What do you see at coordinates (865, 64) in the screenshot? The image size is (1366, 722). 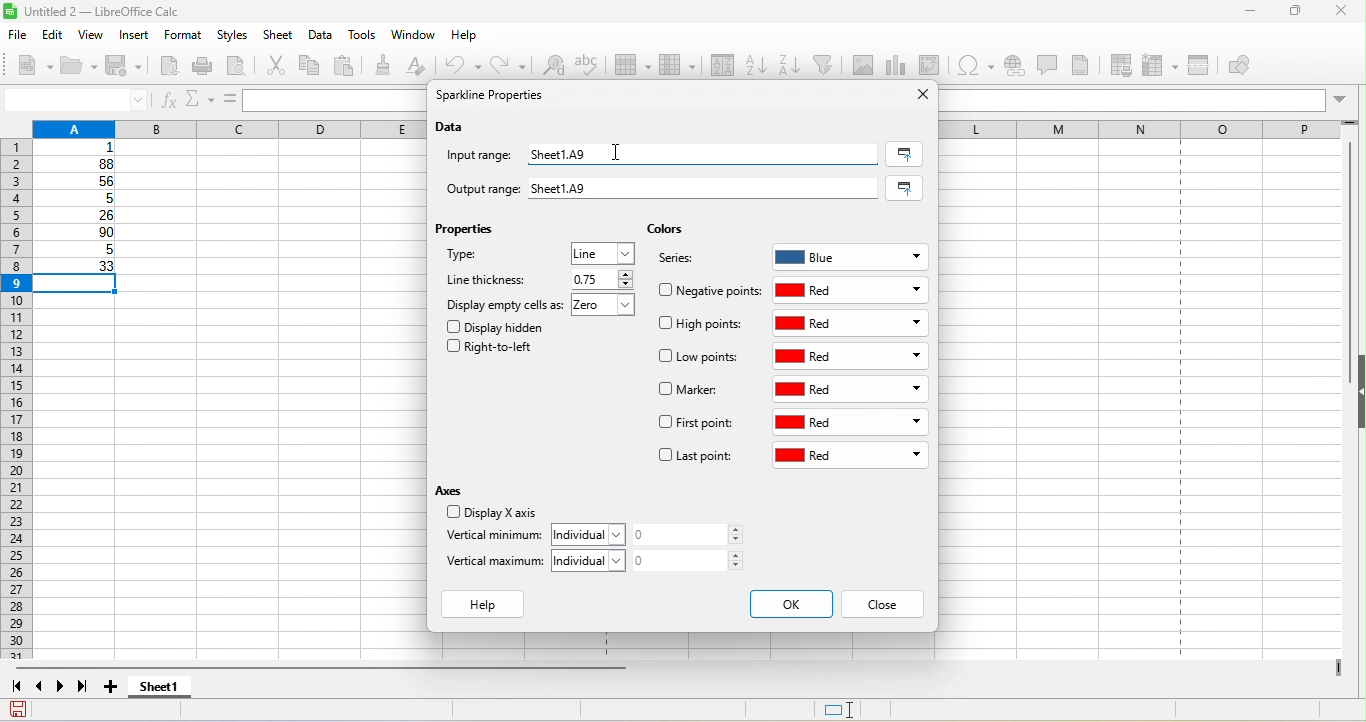 I see `image` at bounding box center [865, 64].